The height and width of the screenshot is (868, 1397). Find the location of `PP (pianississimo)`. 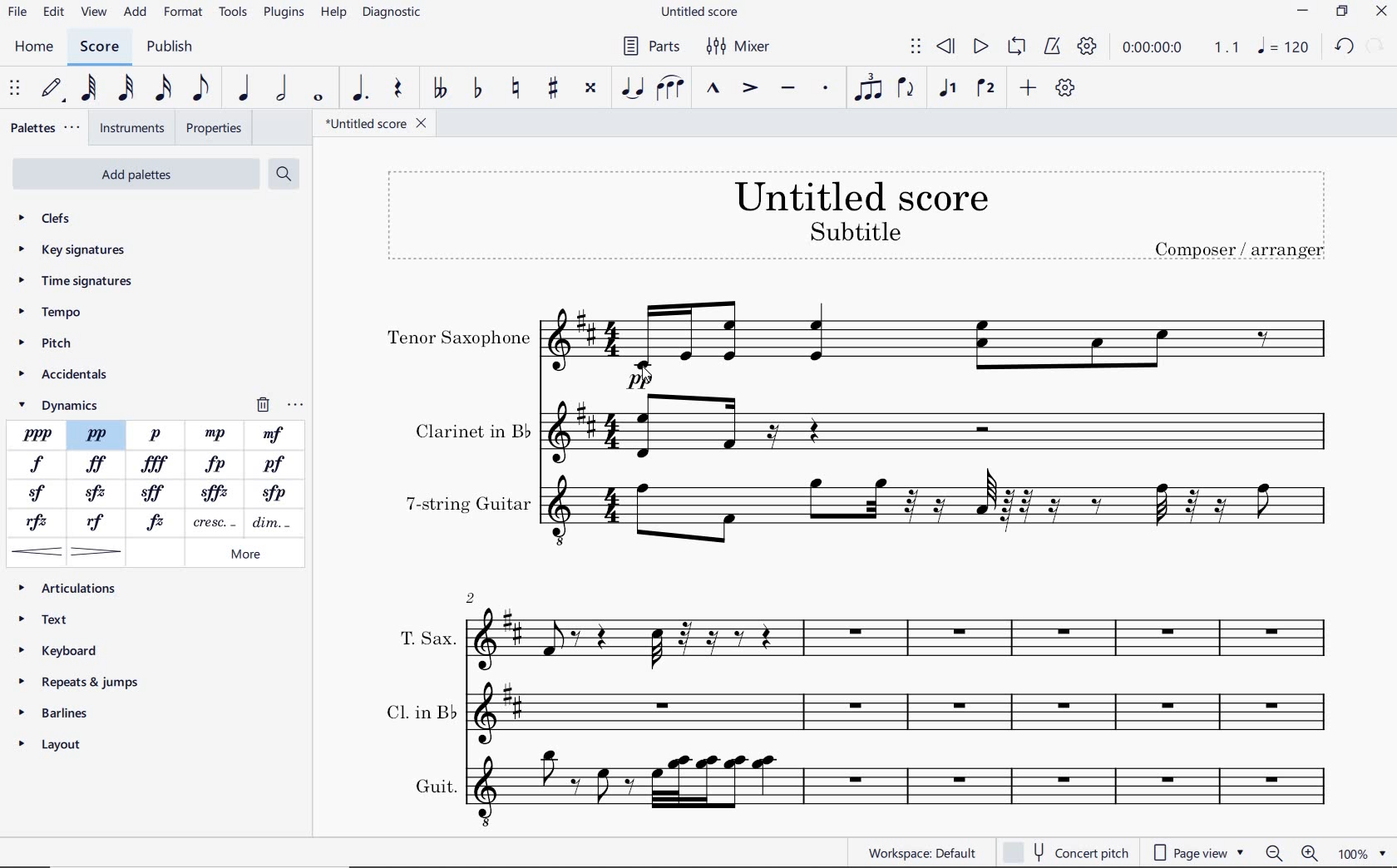

PP (pianississimo) is located at coordinates (96, 435).